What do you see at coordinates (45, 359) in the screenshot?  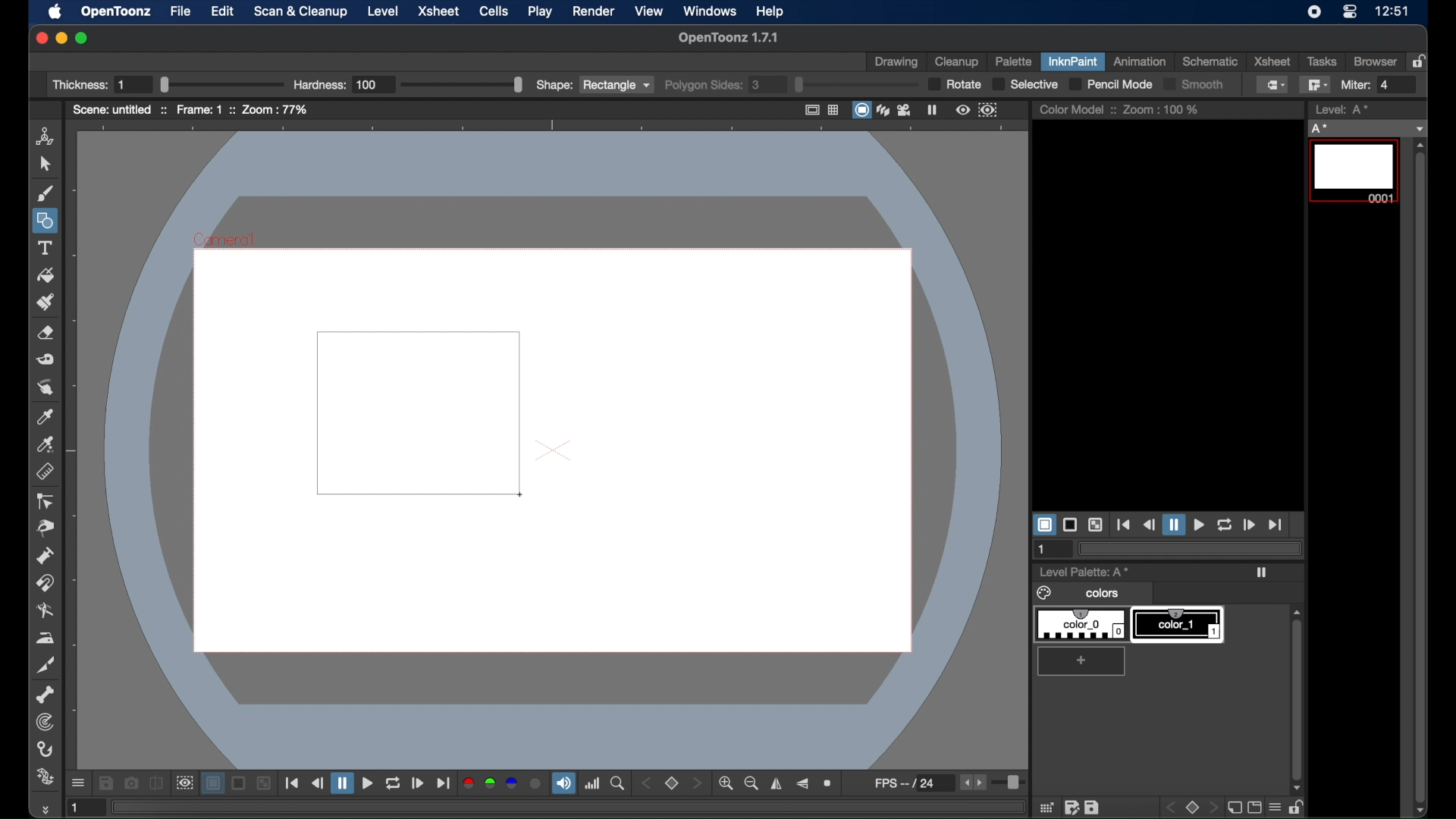 I see `tape tool` at bounding box center [45, 359].